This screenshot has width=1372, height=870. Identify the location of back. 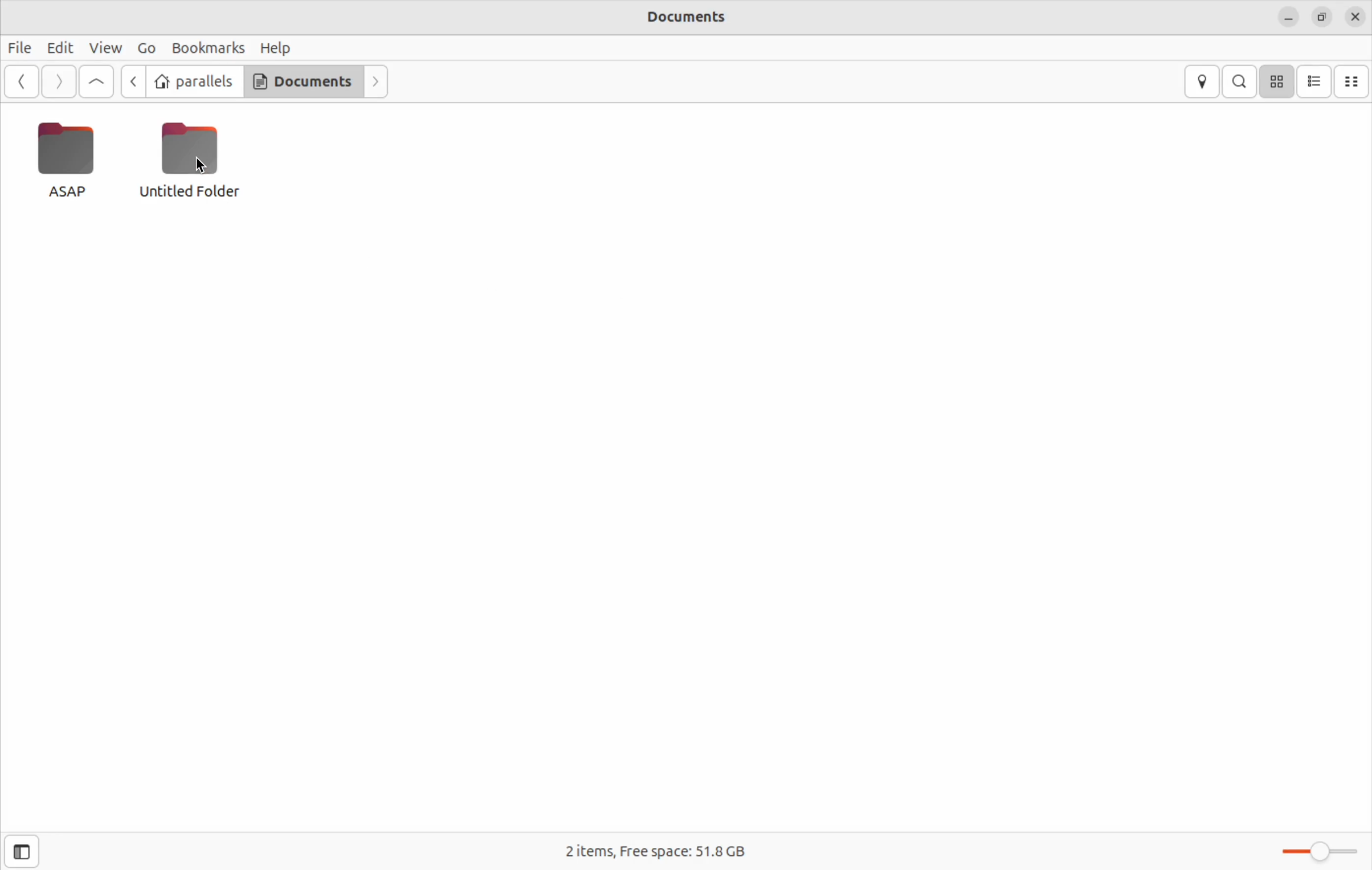
(136, 83).